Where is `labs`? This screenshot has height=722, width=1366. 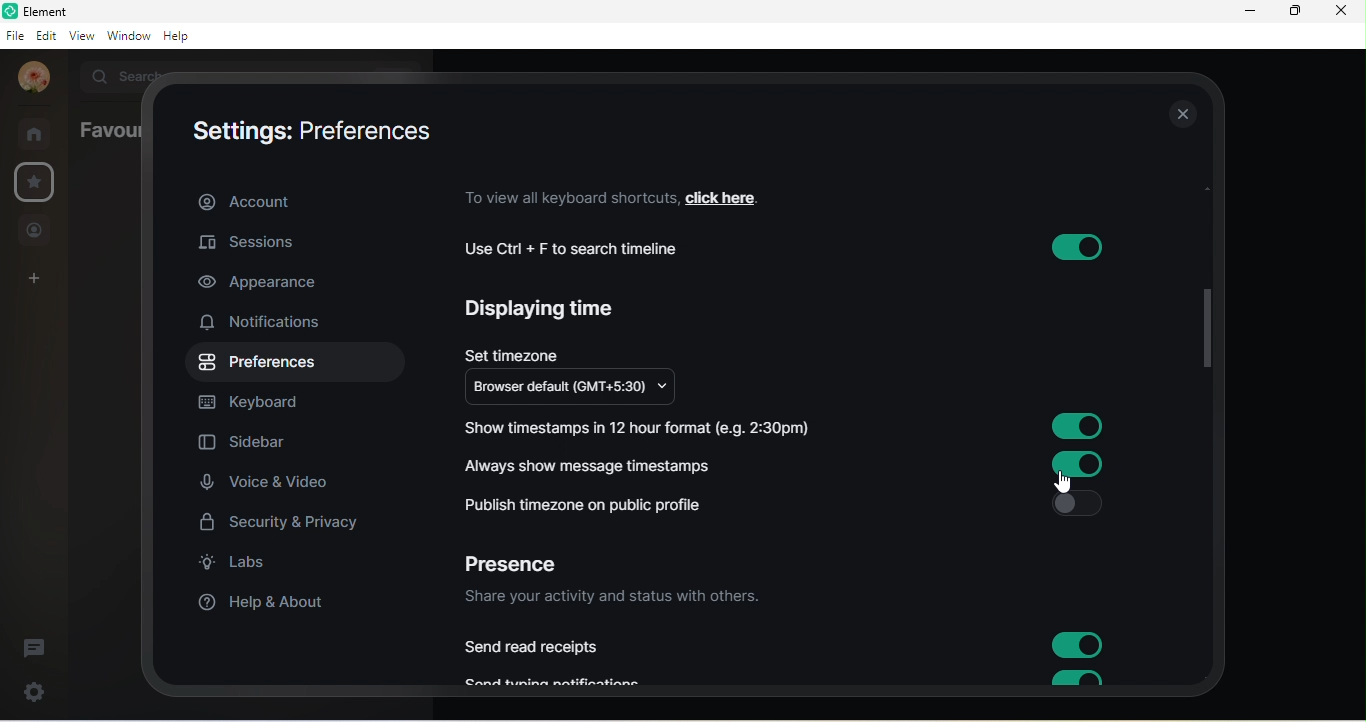 labs is located at coordinates (244, 567).